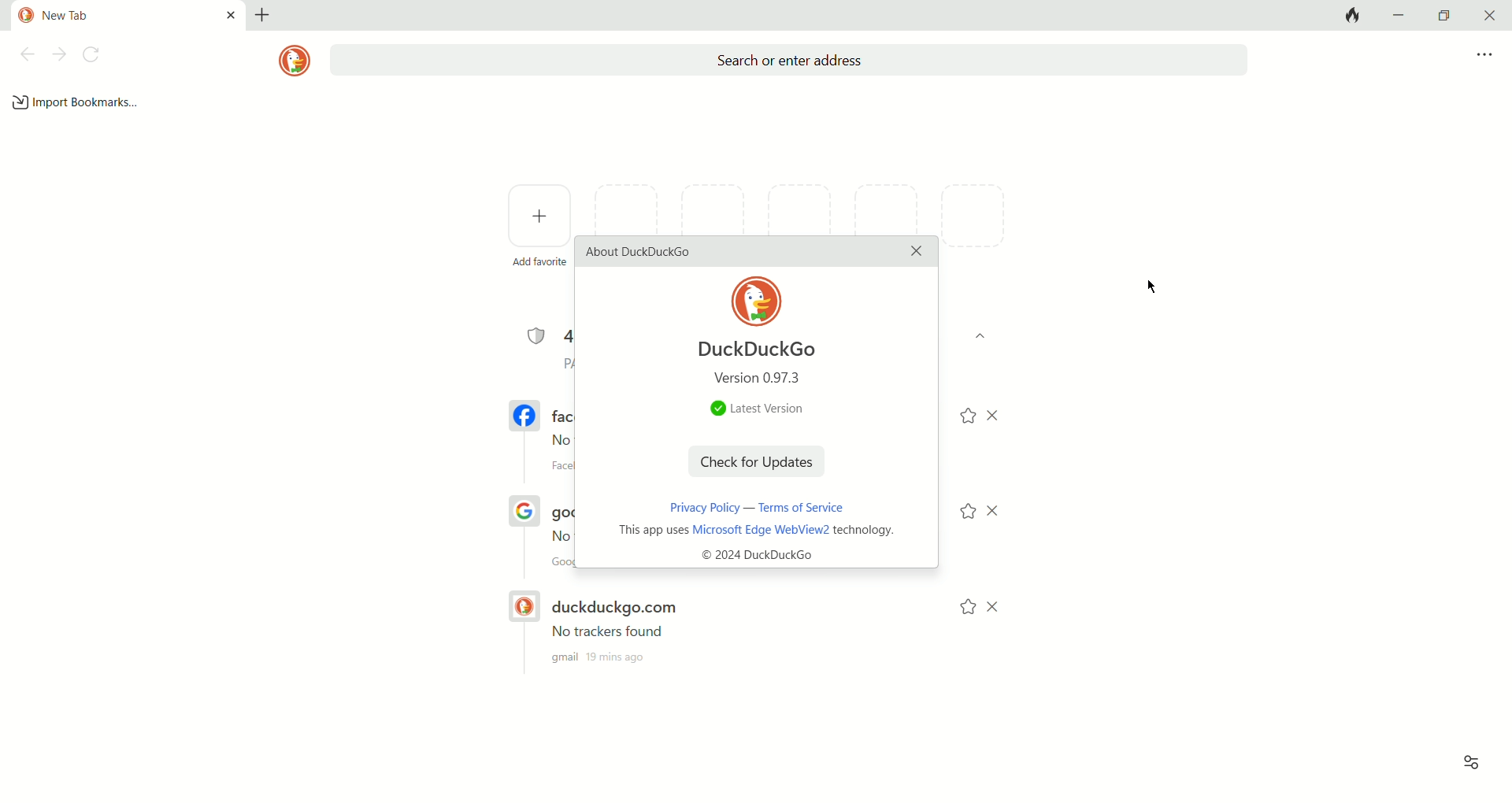  Describe the element at coordinates (1401, 16) in the screenshot. I see `minimize` at that location.